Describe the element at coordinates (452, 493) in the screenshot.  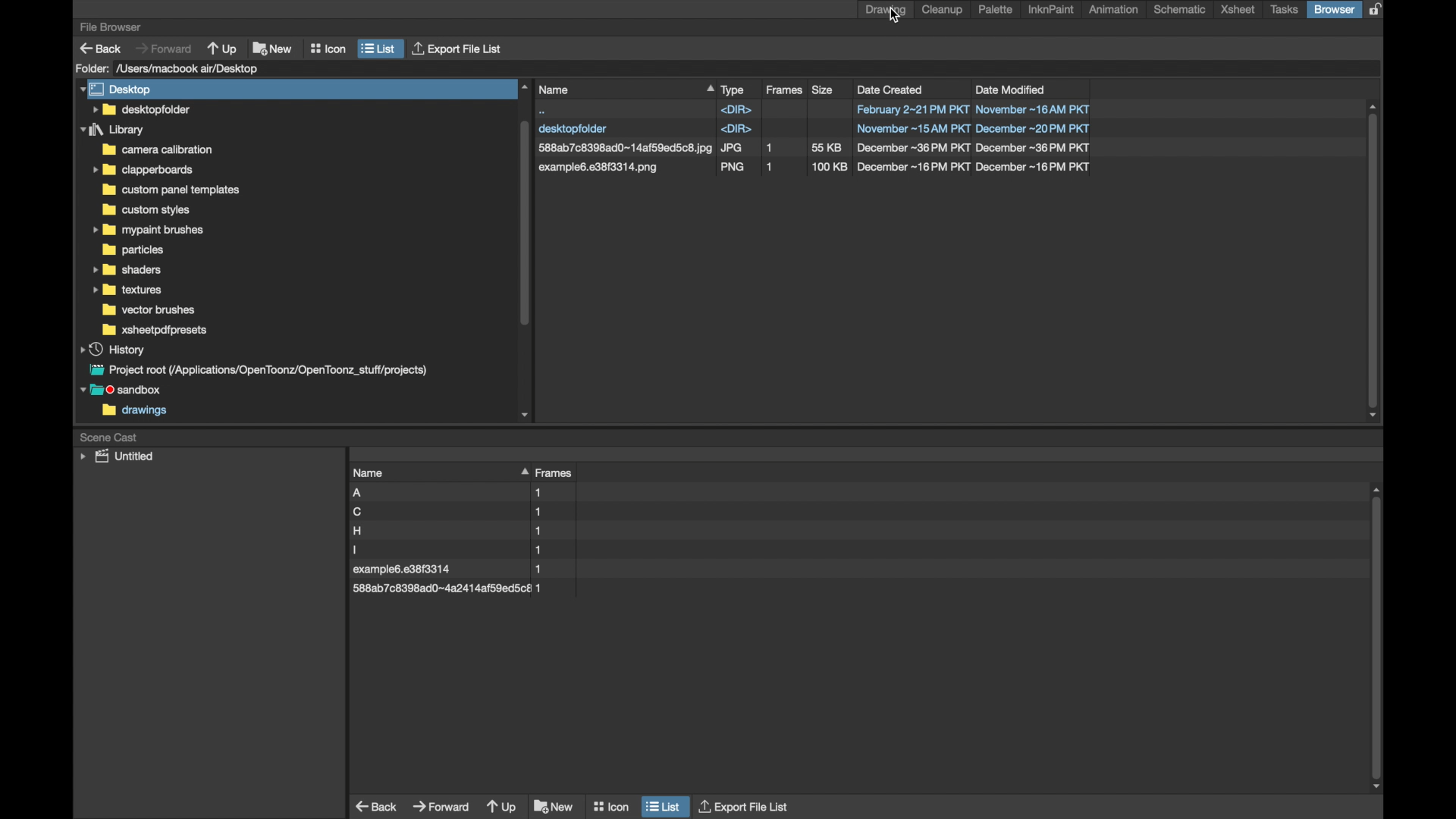
I see `file` at that location.